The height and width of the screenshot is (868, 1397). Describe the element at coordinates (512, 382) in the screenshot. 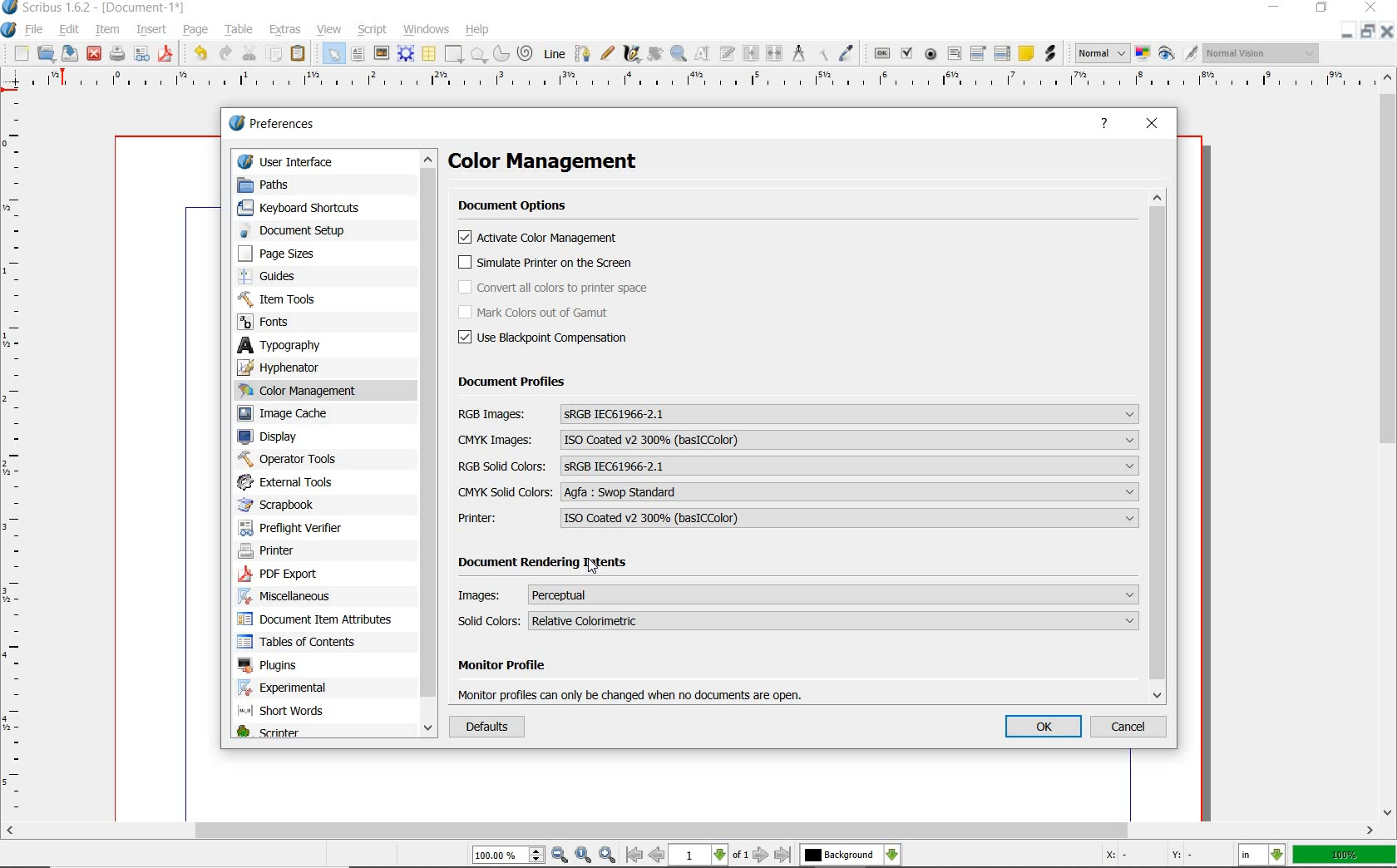

I see `DOCUMENT PROFILES` at that location.